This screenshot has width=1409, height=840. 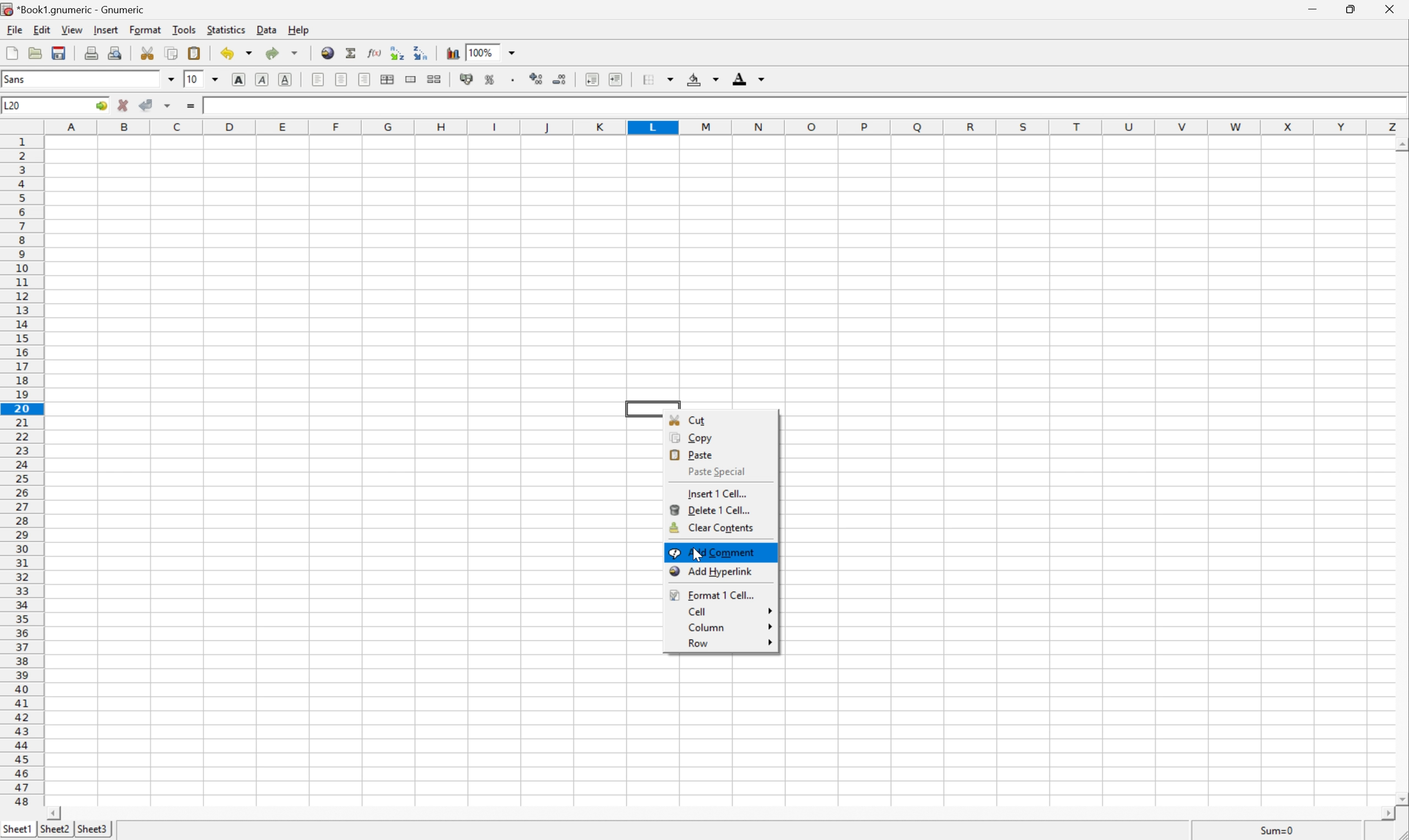 I want to click on Background, so click(x=703, y=79).